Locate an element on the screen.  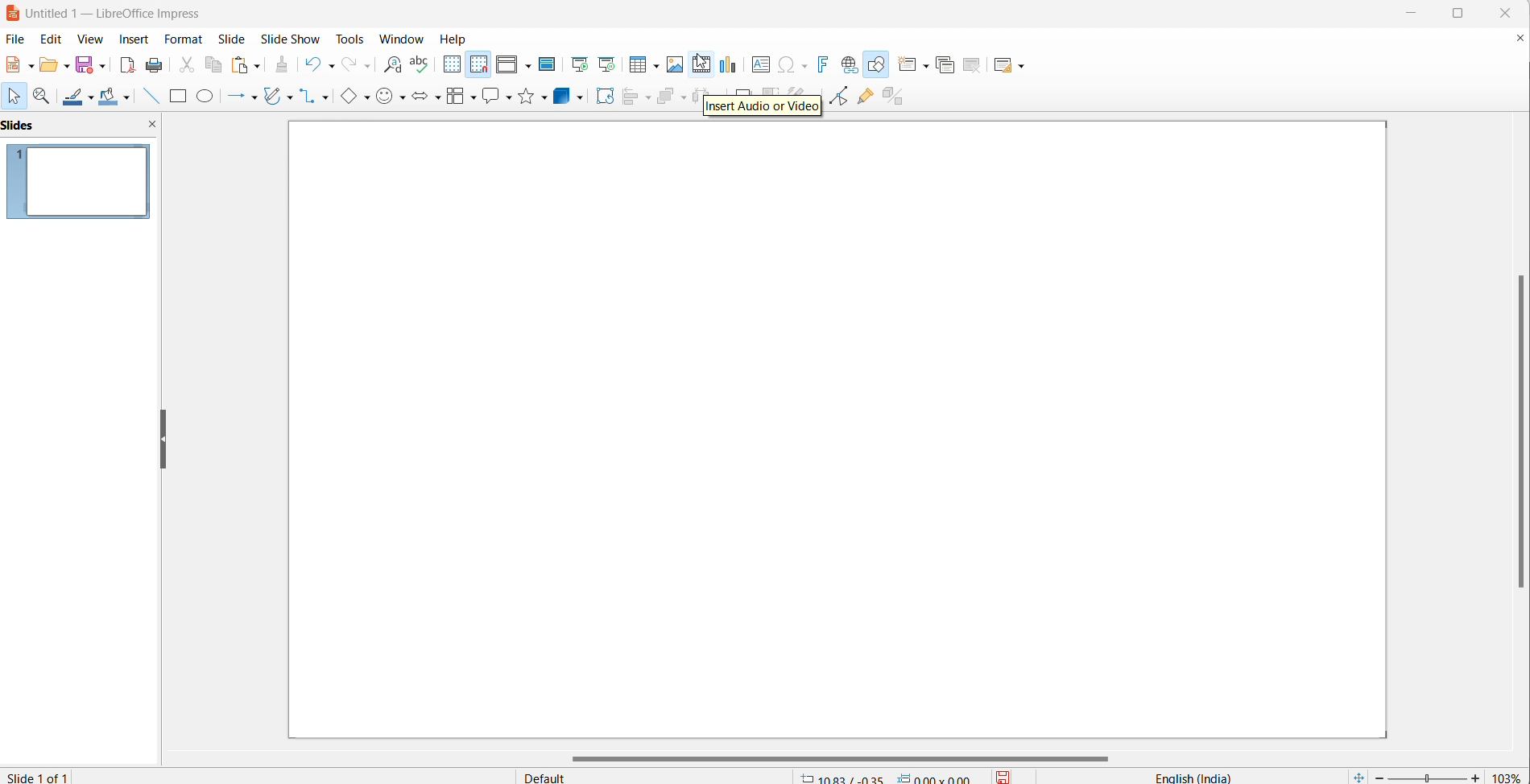
new file options is located at coordinates (31, 64).